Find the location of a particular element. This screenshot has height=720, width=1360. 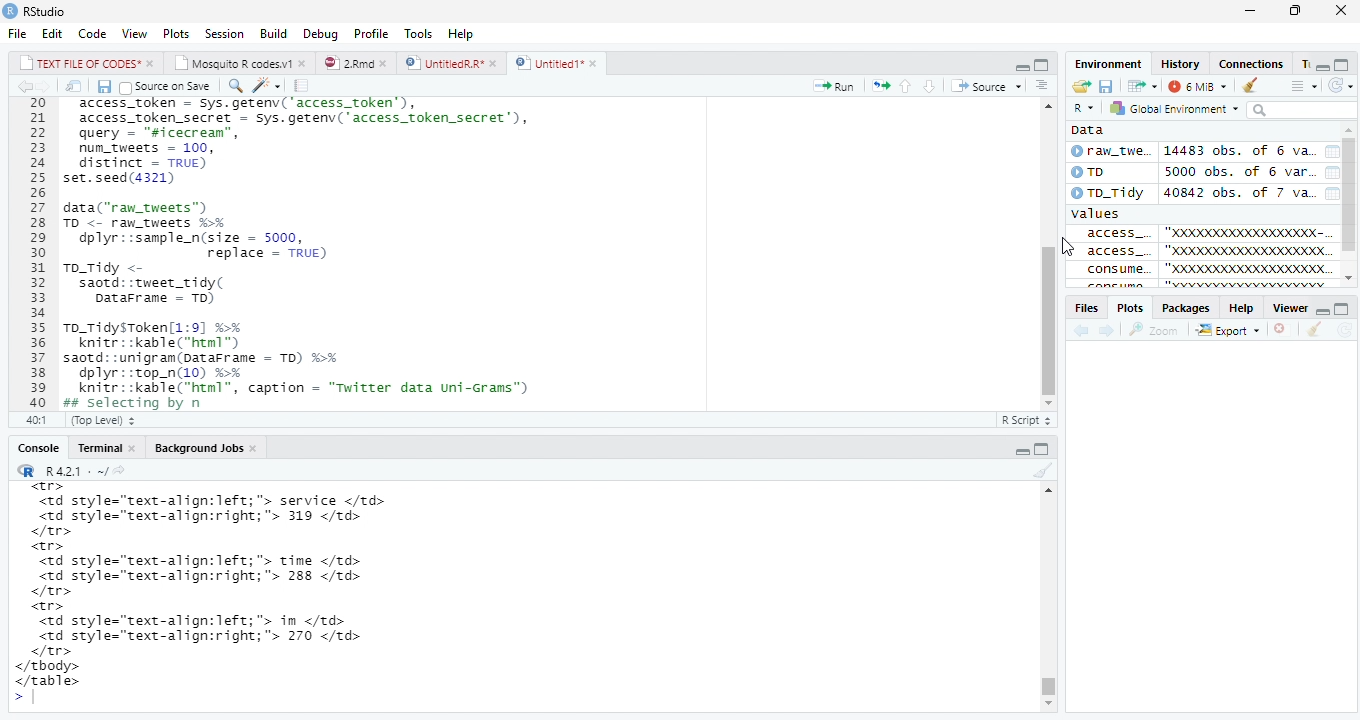

R is located at coordinates (1083, 106).